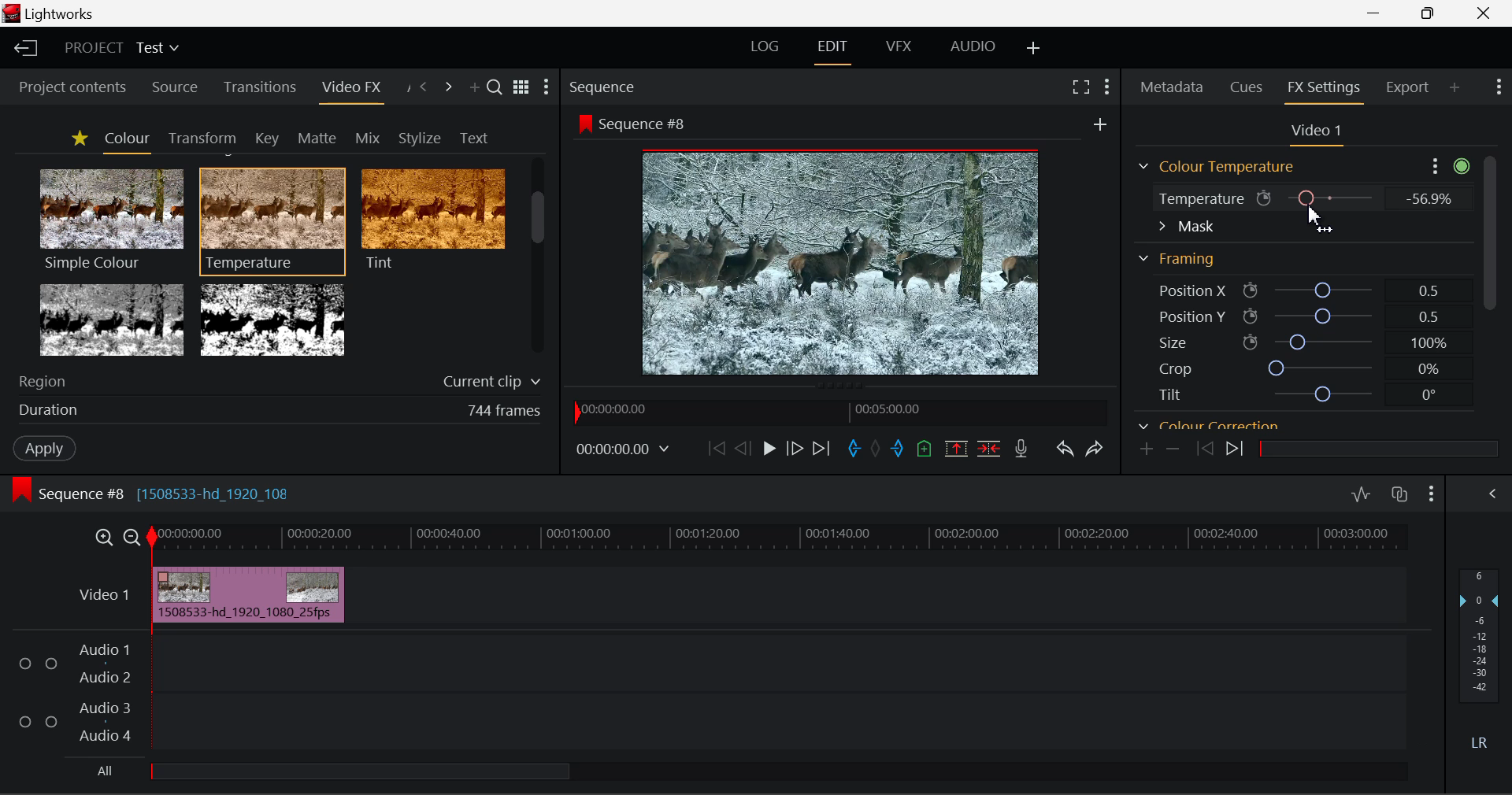 The height and width of the screenshot is (795, 1512). Describe the element at coordinates (1021, 447) in the screenshot. I see `Record Voiceover` at that location.